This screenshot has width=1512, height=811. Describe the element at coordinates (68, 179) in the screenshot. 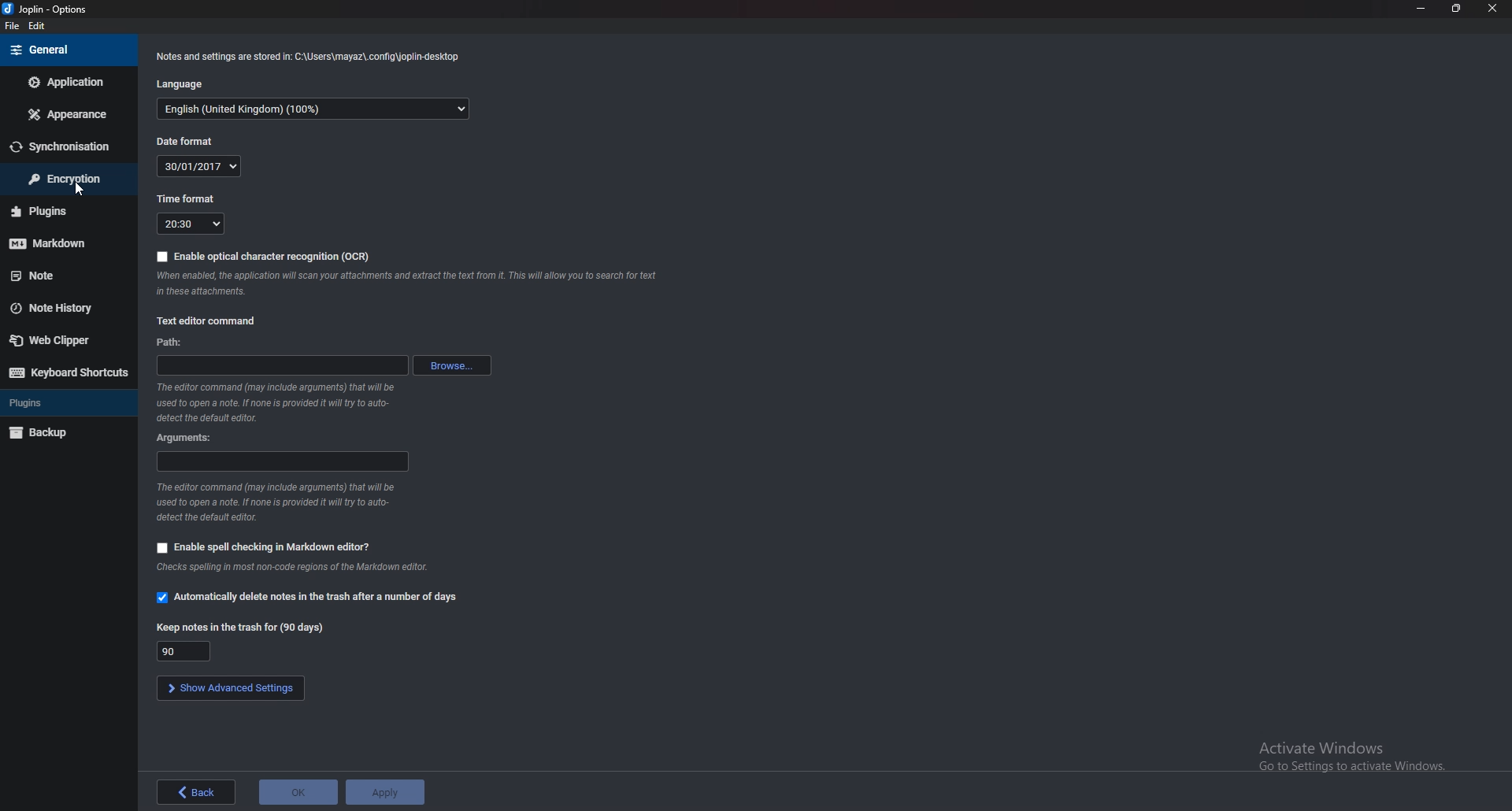

I see `encryption` at that location.